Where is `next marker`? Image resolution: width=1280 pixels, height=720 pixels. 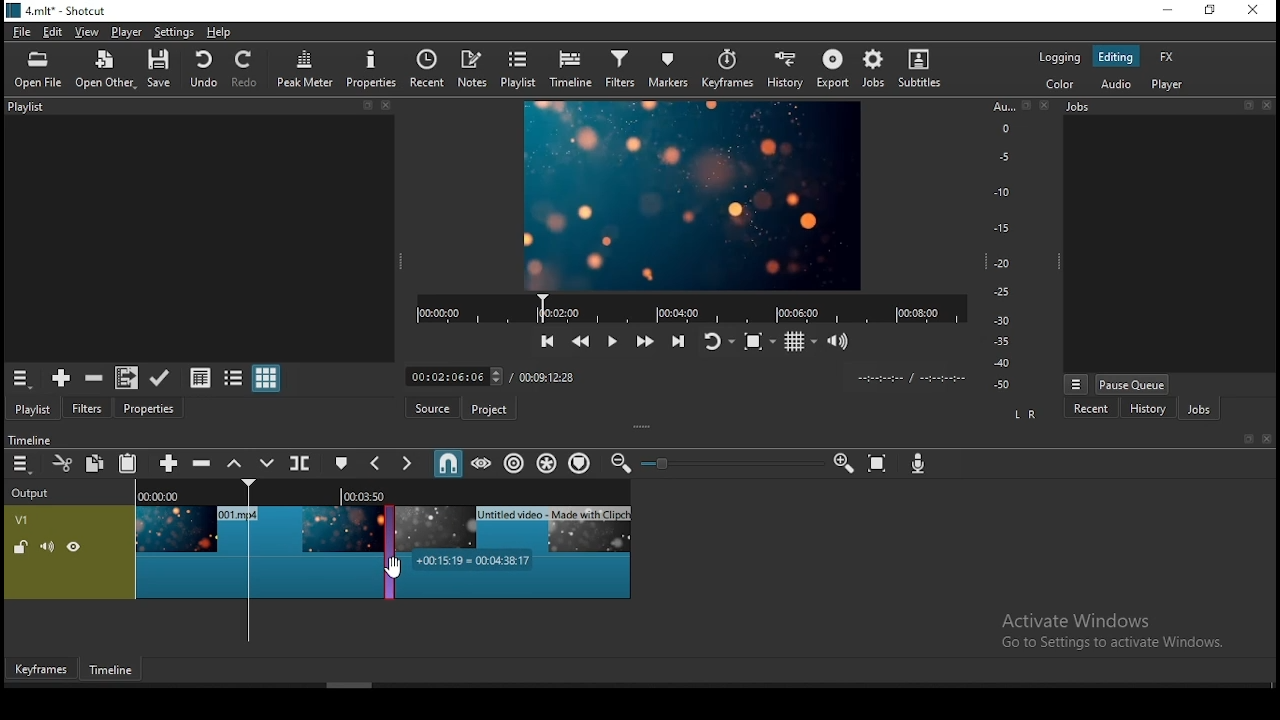
next marker is located at coordinates (409, 464).